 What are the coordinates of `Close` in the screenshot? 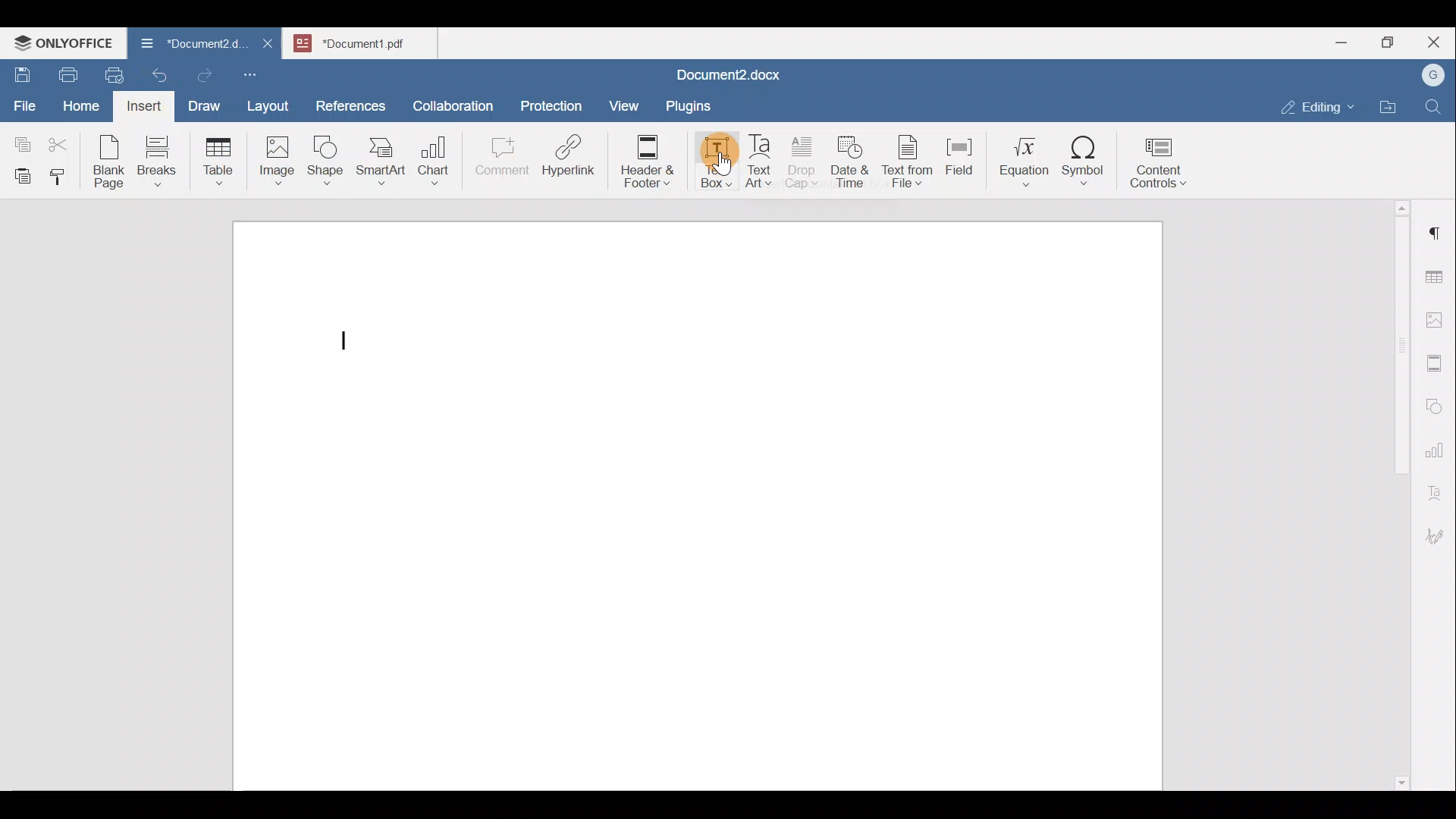 It's located at (1436, 43).